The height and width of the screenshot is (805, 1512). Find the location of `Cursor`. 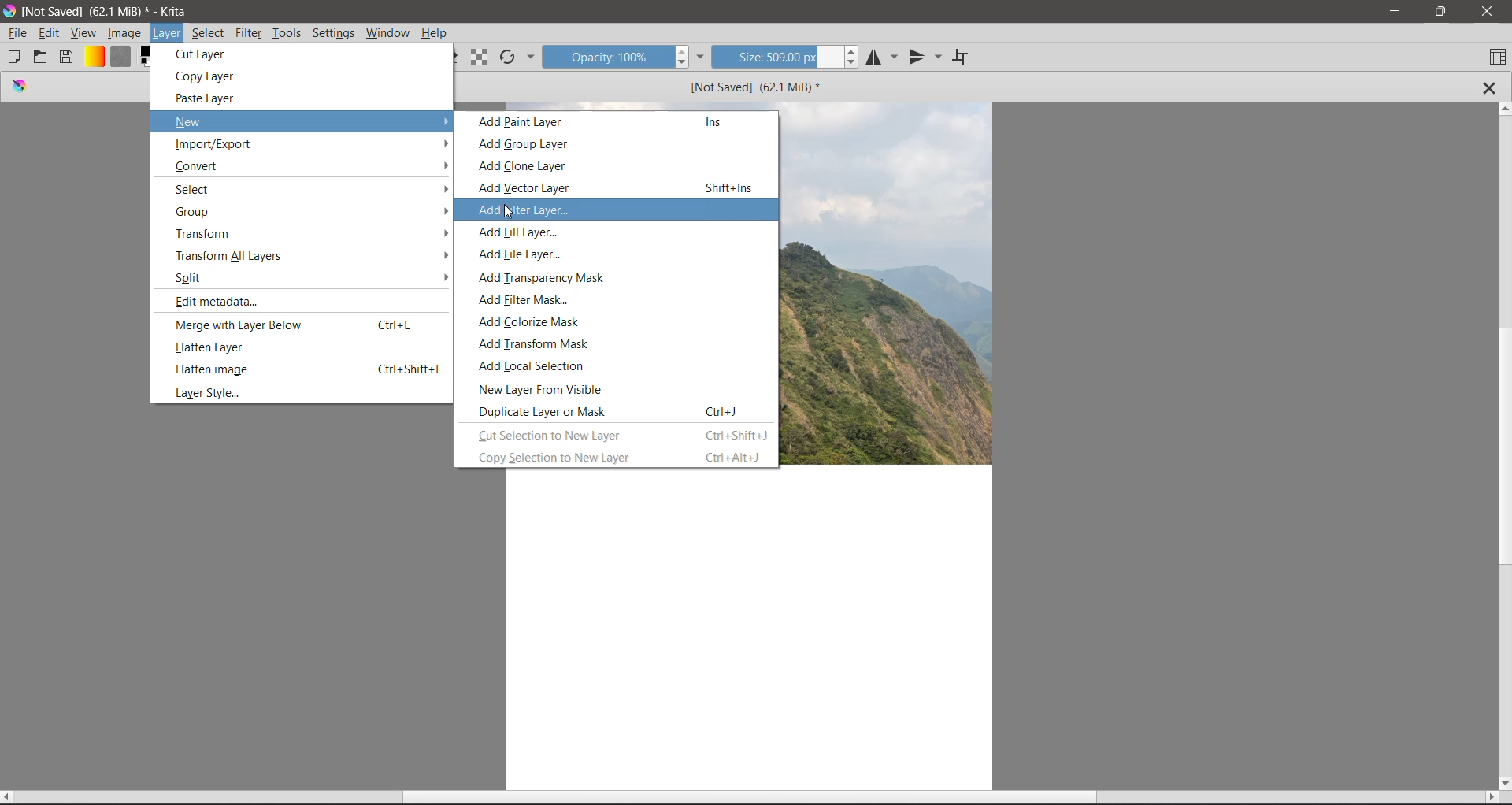

Cursor is located at coordinates (507, 213).